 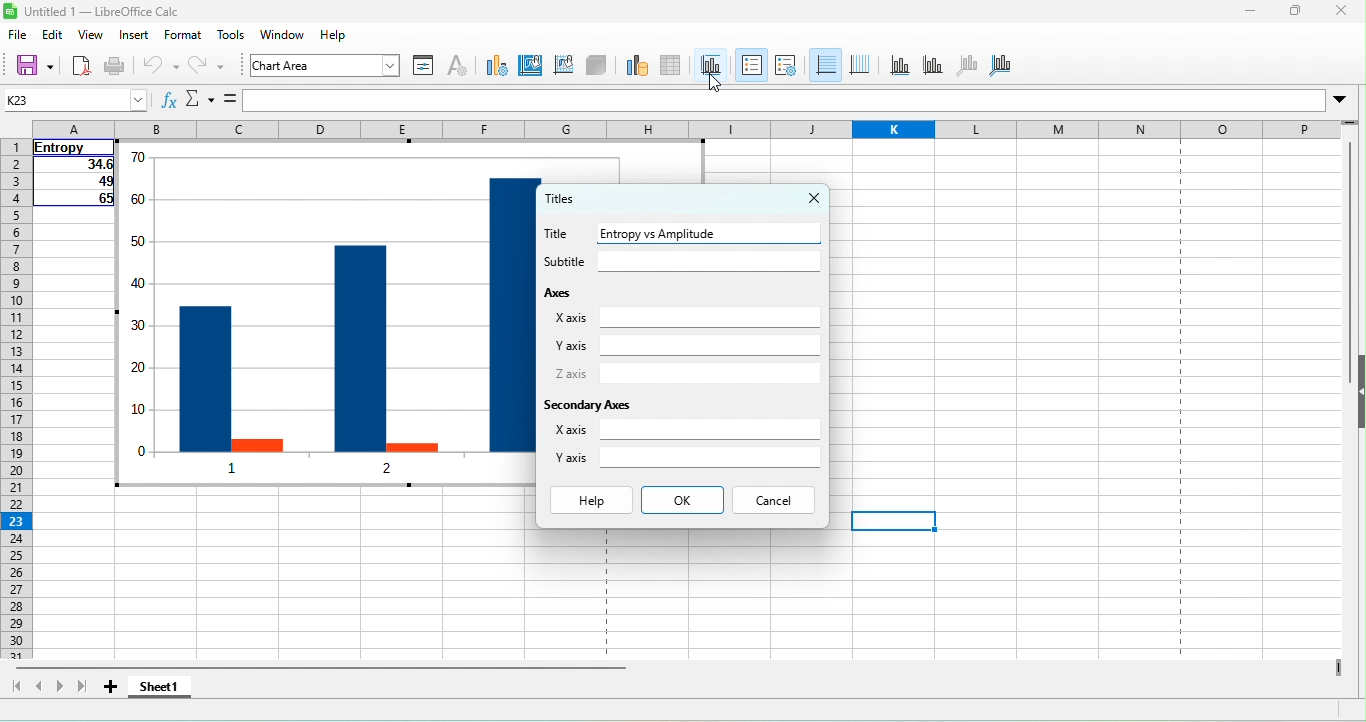 I want to click on view, so click(x=91, y=36).